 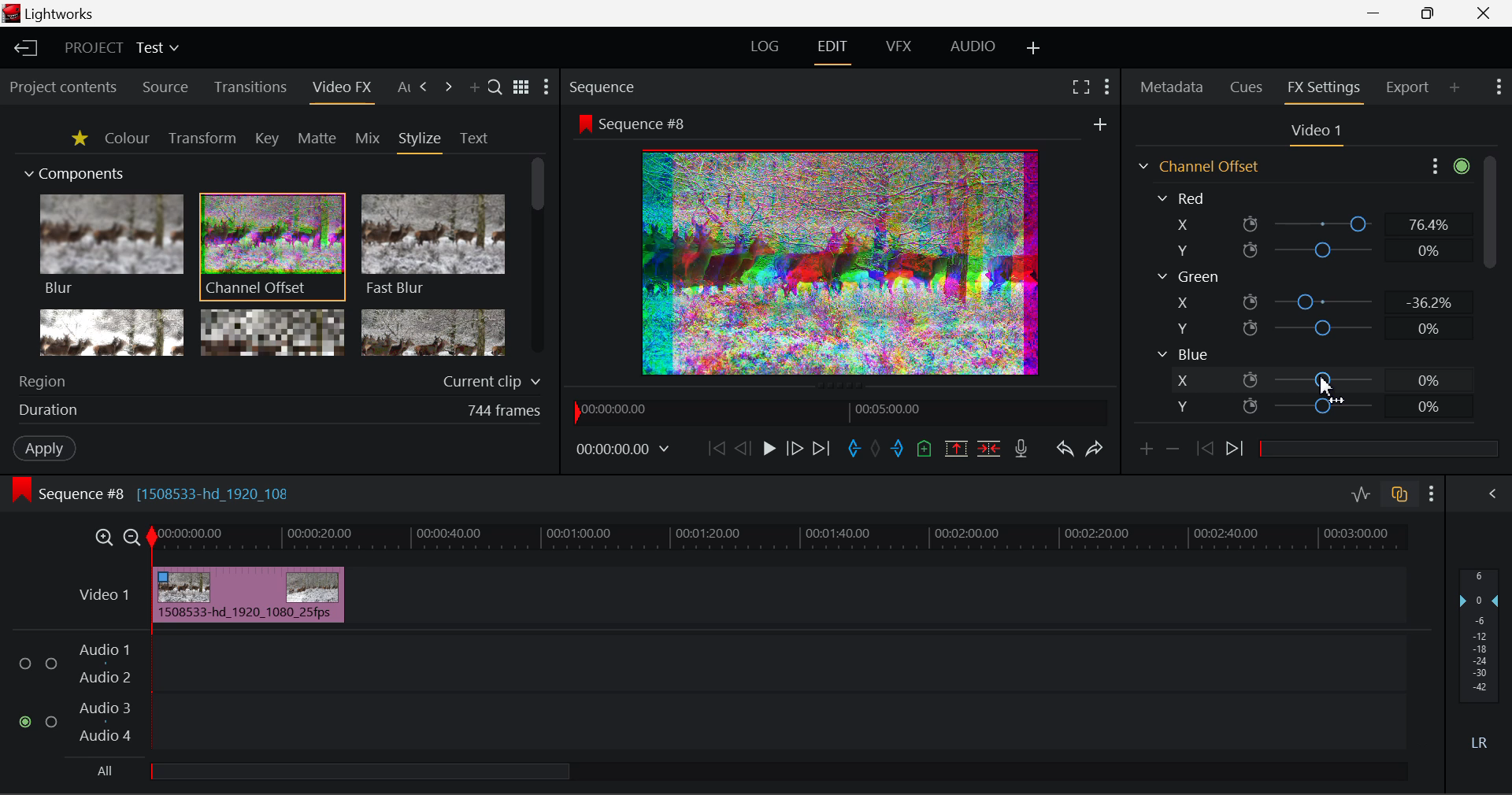 What do you see at coordinates (1170, 87) in the screenshot?
I see `Metadata Tab` at bounding box center [1170, 87].